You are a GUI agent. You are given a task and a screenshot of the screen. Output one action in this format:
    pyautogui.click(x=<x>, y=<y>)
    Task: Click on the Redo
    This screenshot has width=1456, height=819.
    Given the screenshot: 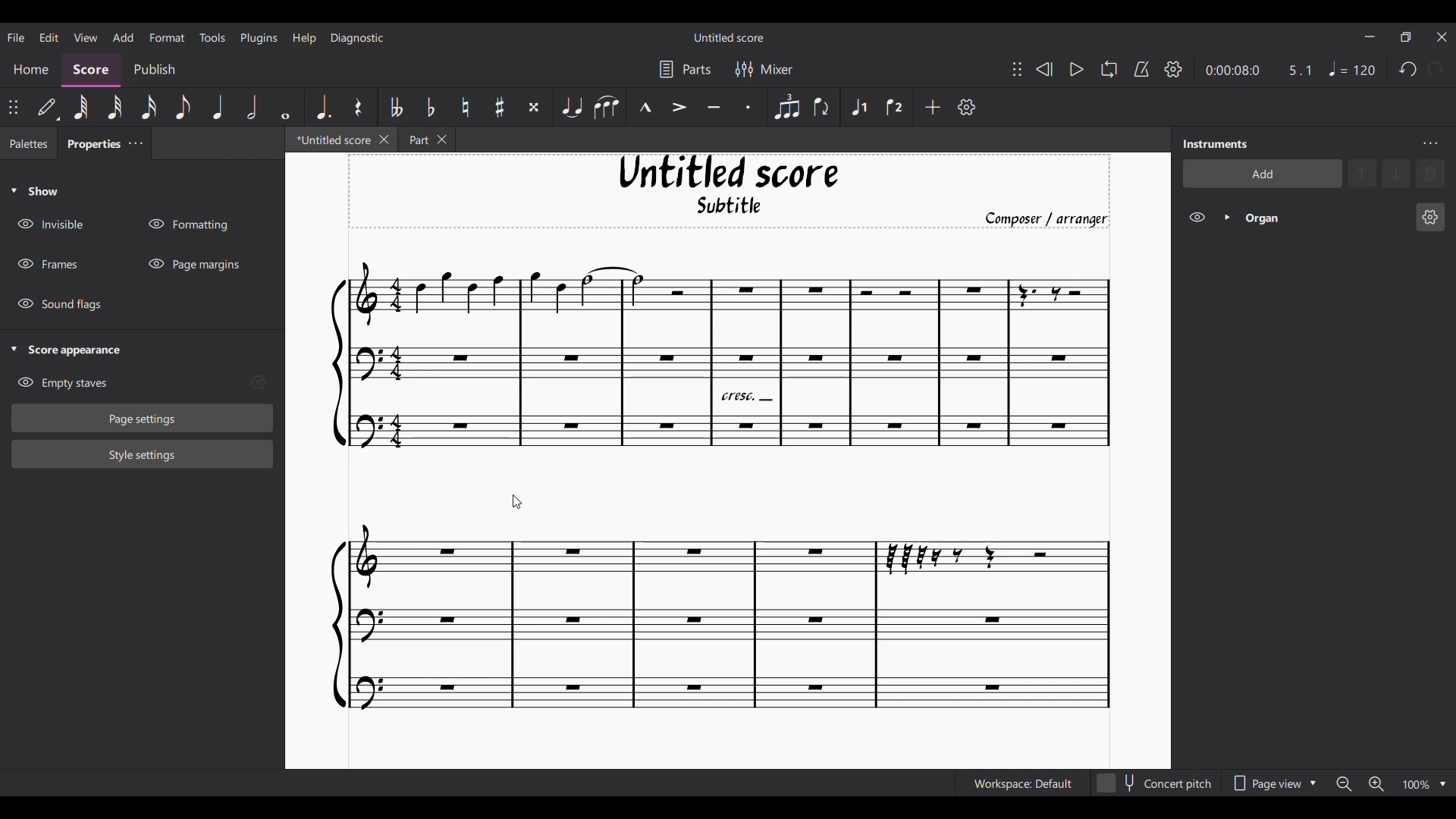 What is the action you would take?
    pyautogui.click(x=1436, y=69)
    